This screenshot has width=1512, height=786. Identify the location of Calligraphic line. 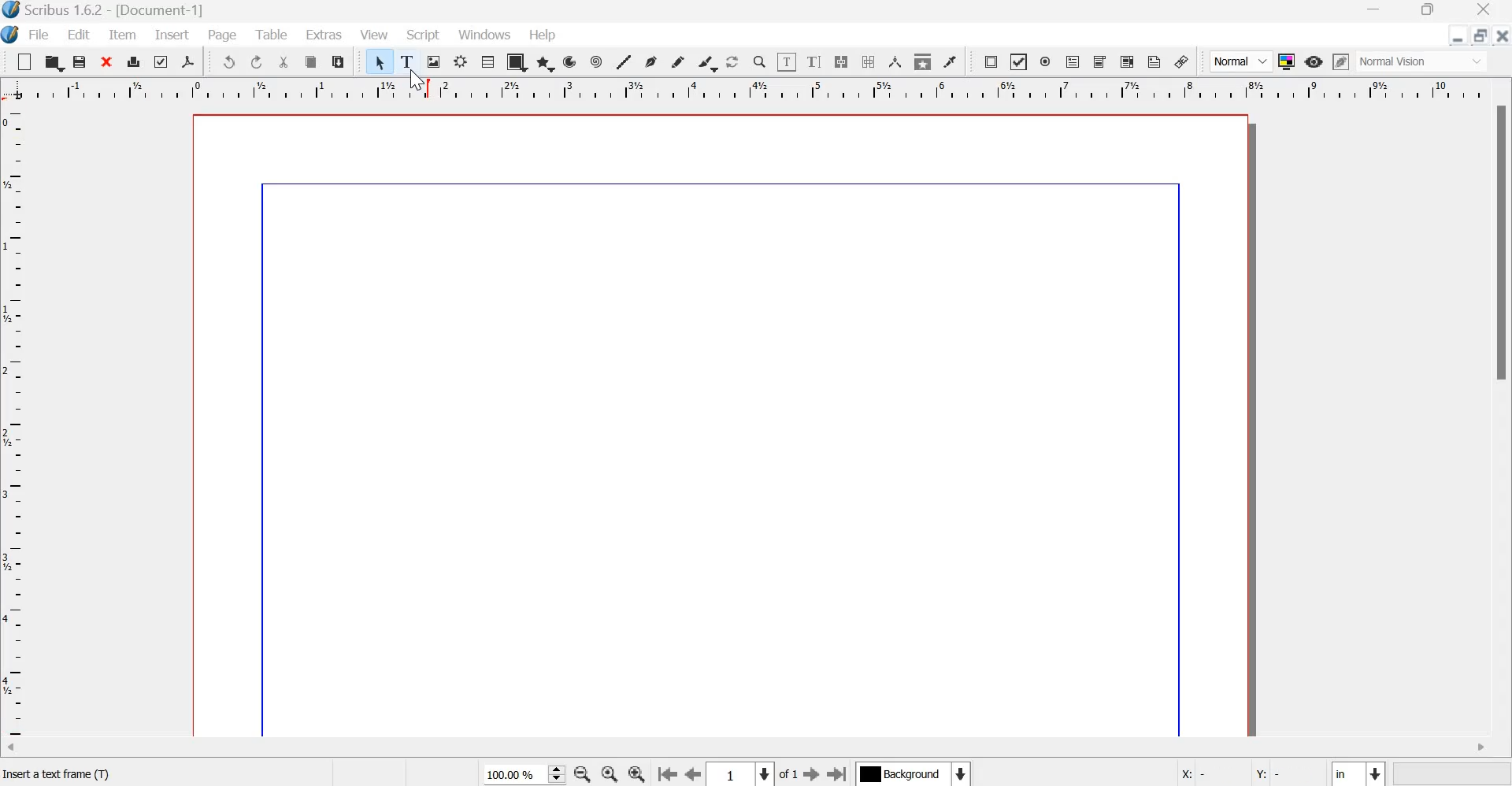
(707, 61).